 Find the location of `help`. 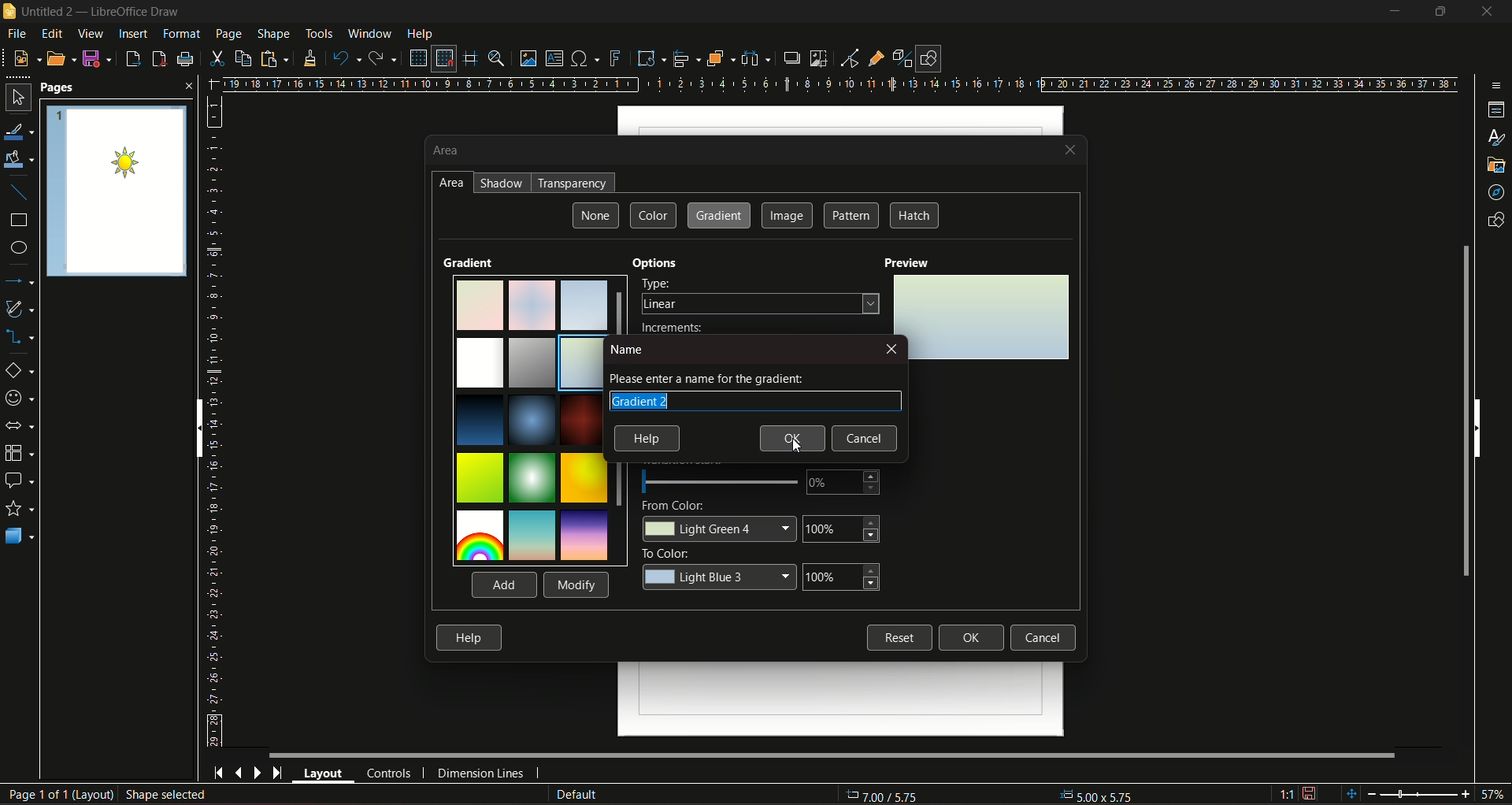

help is located at coordinates (648, 441).